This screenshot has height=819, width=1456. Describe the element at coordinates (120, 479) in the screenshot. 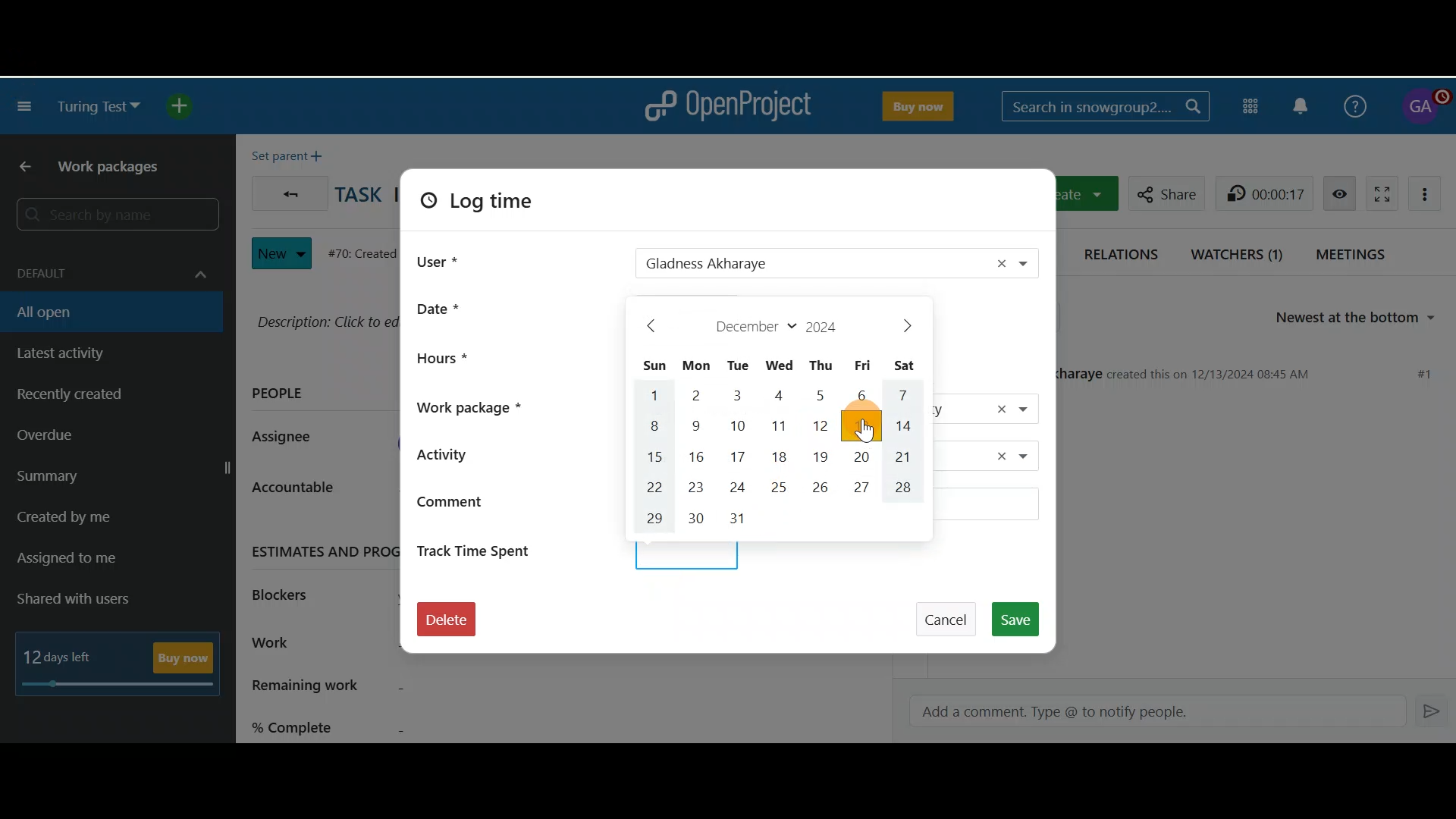

I see `Summary` at that location.